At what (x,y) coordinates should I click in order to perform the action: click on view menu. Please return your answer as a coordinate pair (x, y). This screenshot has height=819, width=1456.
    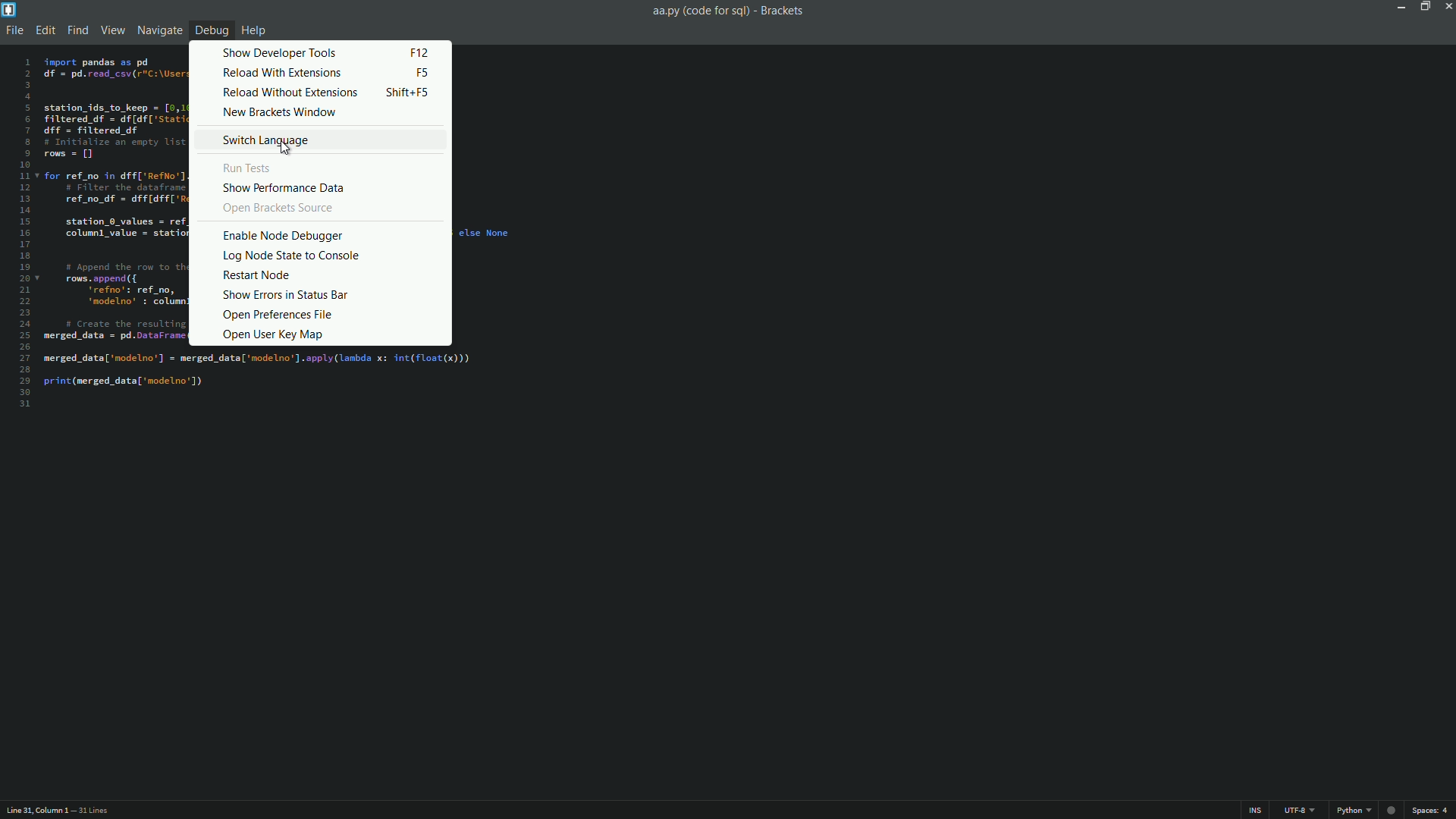
    Looking at the image, I should click on (111, 30).